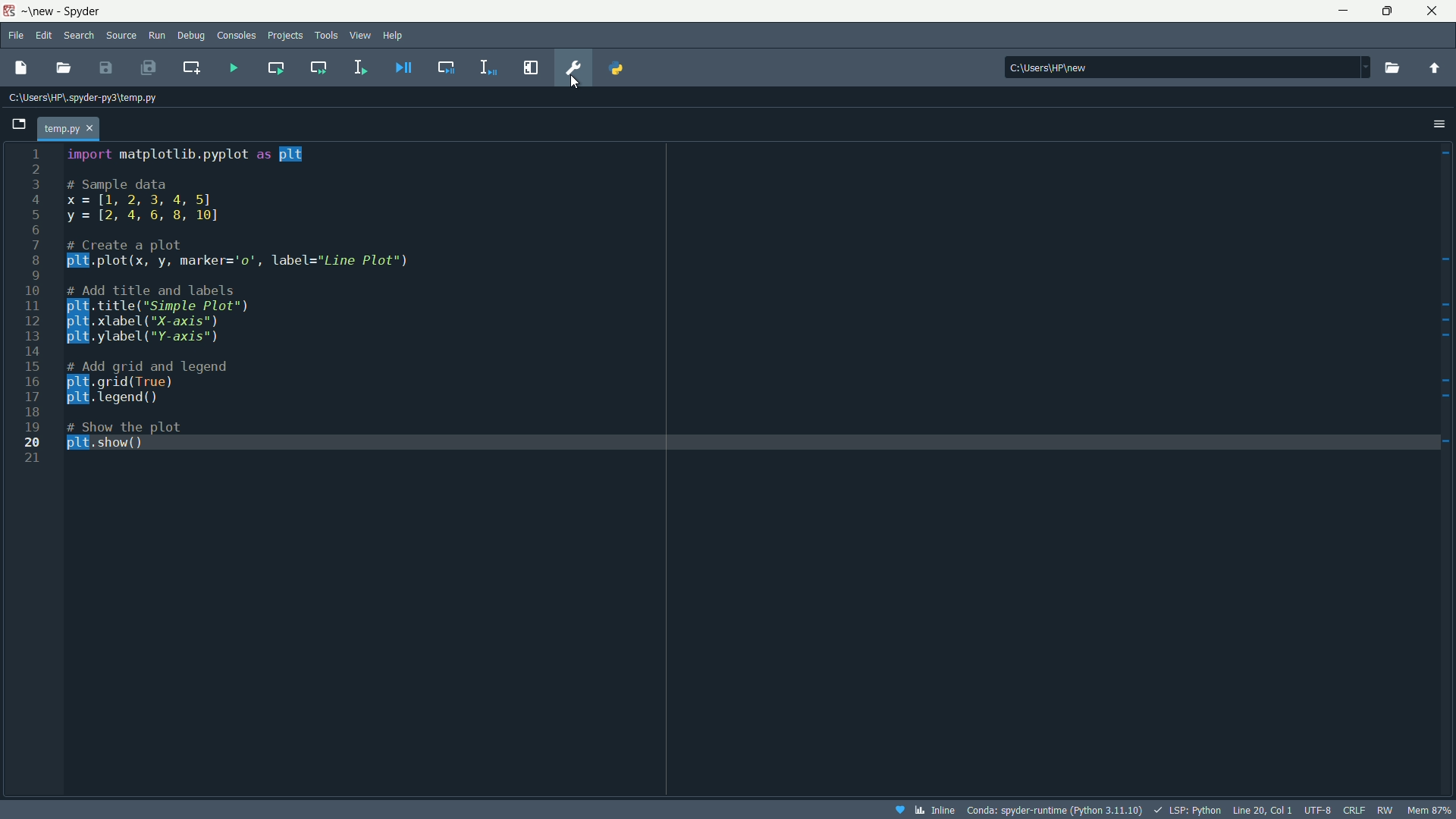 This screenshot has height=819, width=1456. What do you see at coordinates (288, 309) in the screenshot?
I see `import matplotlib.pyplot as pl

# Sample data

x=1[1, 2, 3, 4, 5]

y= I[2, 4, 6, 8, 10]

# Create a plot

PUE.plot(x, y, marker='o', label="Line Plot")

# Add title and labels
.title("Simple Plot")
.xlabel("X-axis")
.ylabel("Y-axis")

# Add grid and legend
.grid(True)
.legend()

# Show the plot

PLE. show()` at bounding box center [288, 309].